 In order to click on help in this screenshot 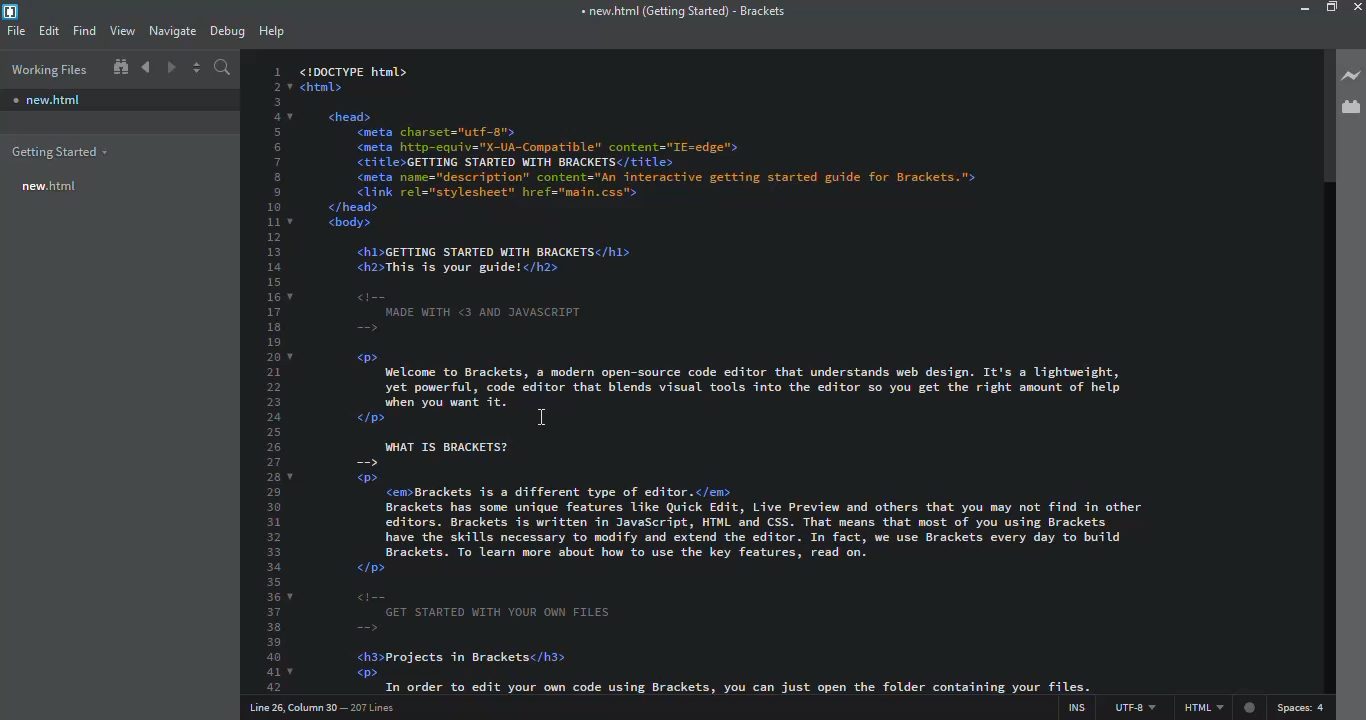, I will do `click(271, 32)`.